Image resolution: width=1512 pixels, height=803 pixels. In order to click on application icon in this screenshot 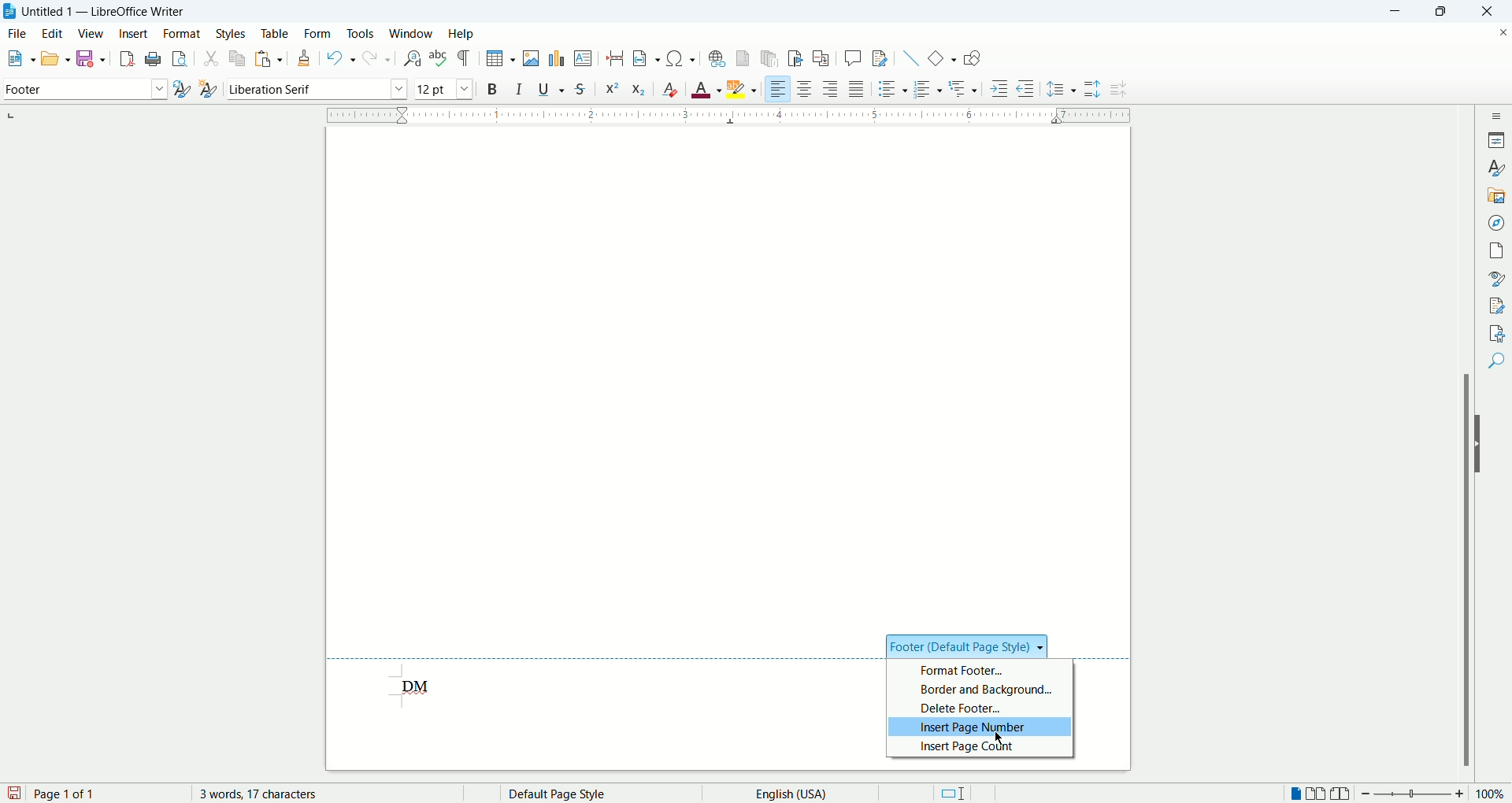, I will do `click(10, 12)`.